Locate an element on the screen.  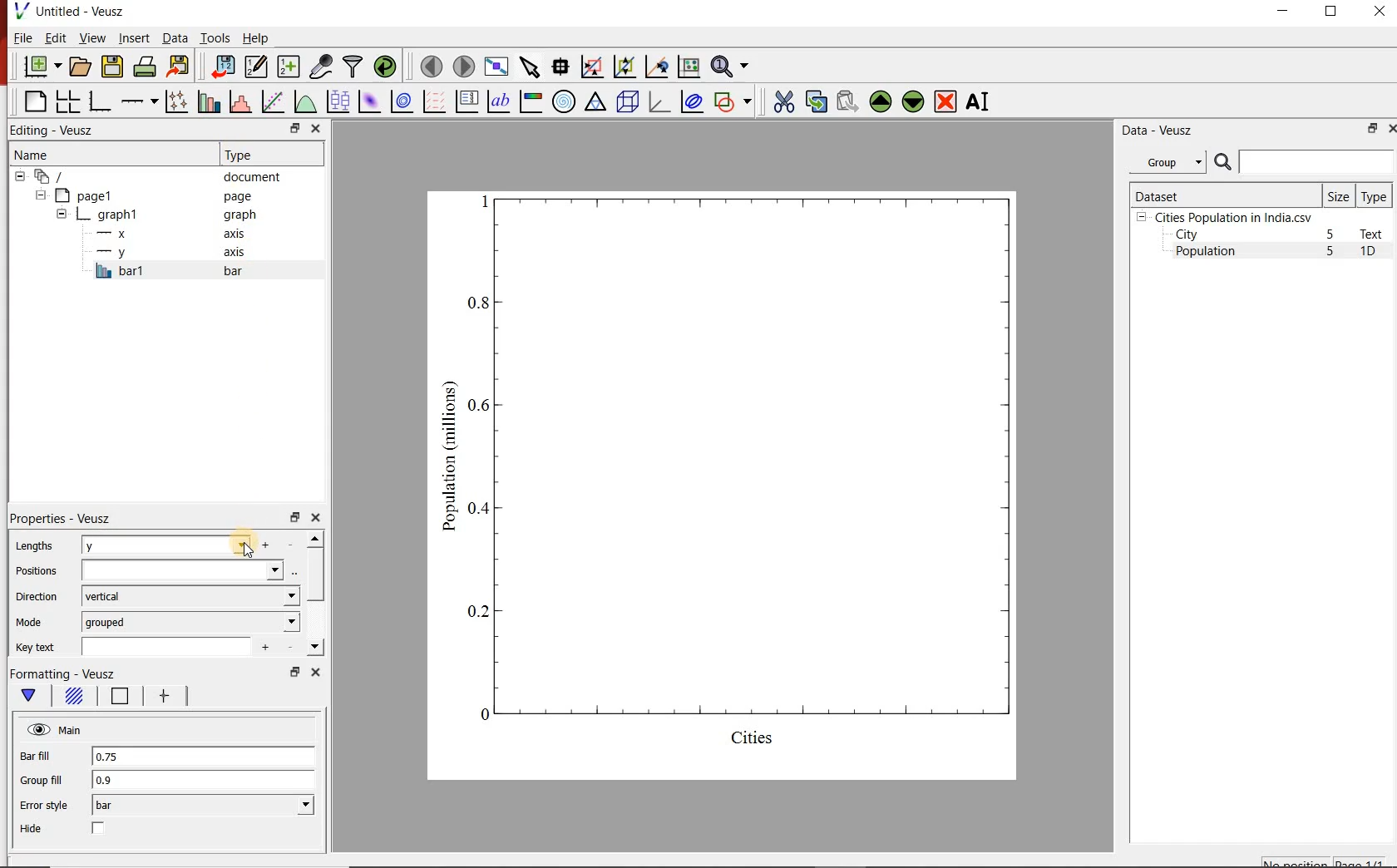
Error style is located at coordinates (43, 806).